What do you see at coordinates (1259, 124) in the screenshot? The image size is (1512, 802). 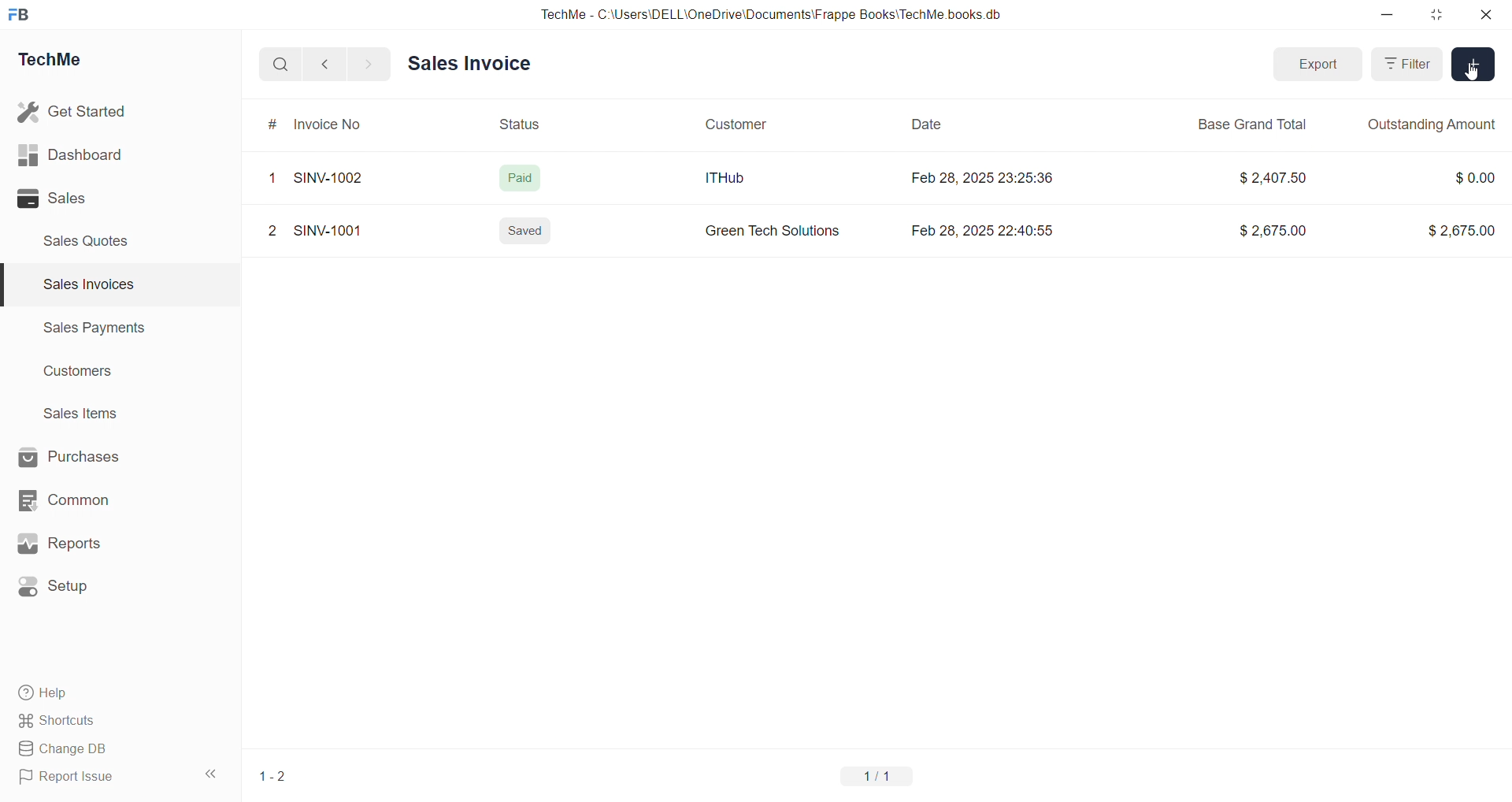 I see `Base Grand Total` at bounding box center [1259, 124].